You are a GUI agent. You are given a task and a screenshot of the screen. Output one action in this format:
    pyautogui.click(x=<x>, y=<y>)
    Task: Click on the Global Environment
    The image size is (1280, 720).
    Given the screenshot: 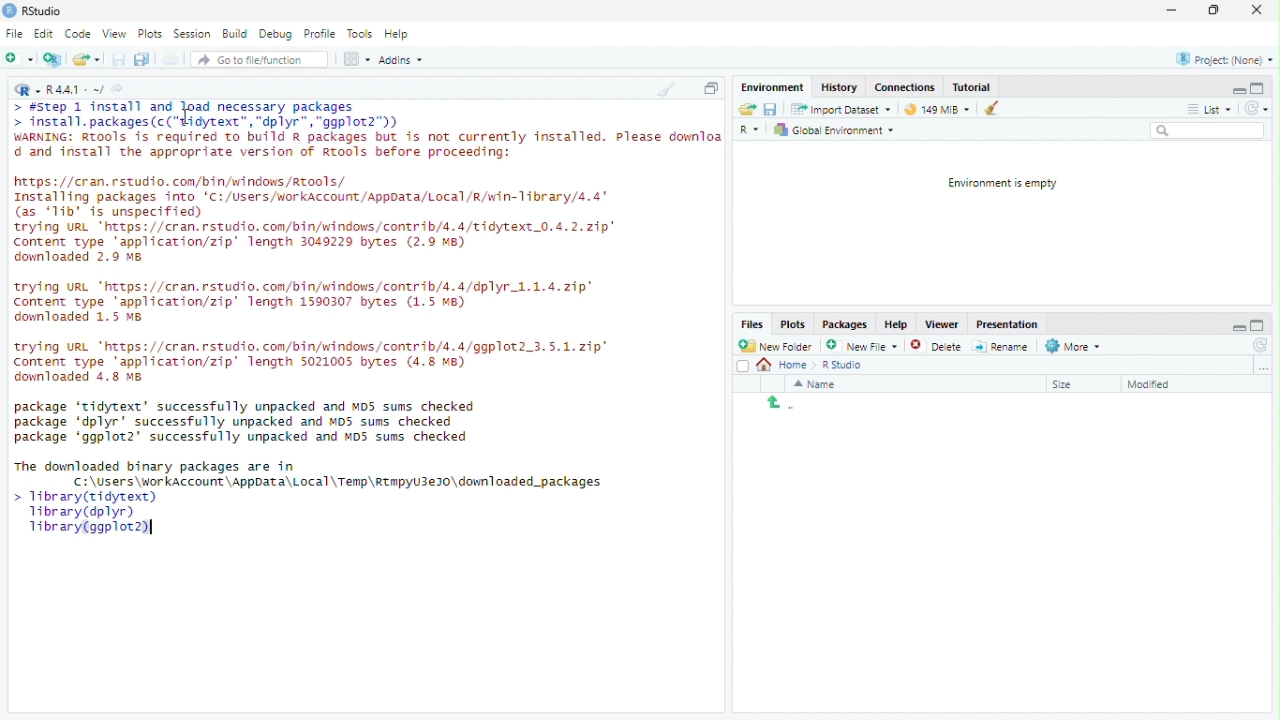 What is the action you would take?
    pyautogui.click(x=834, y=129)
    